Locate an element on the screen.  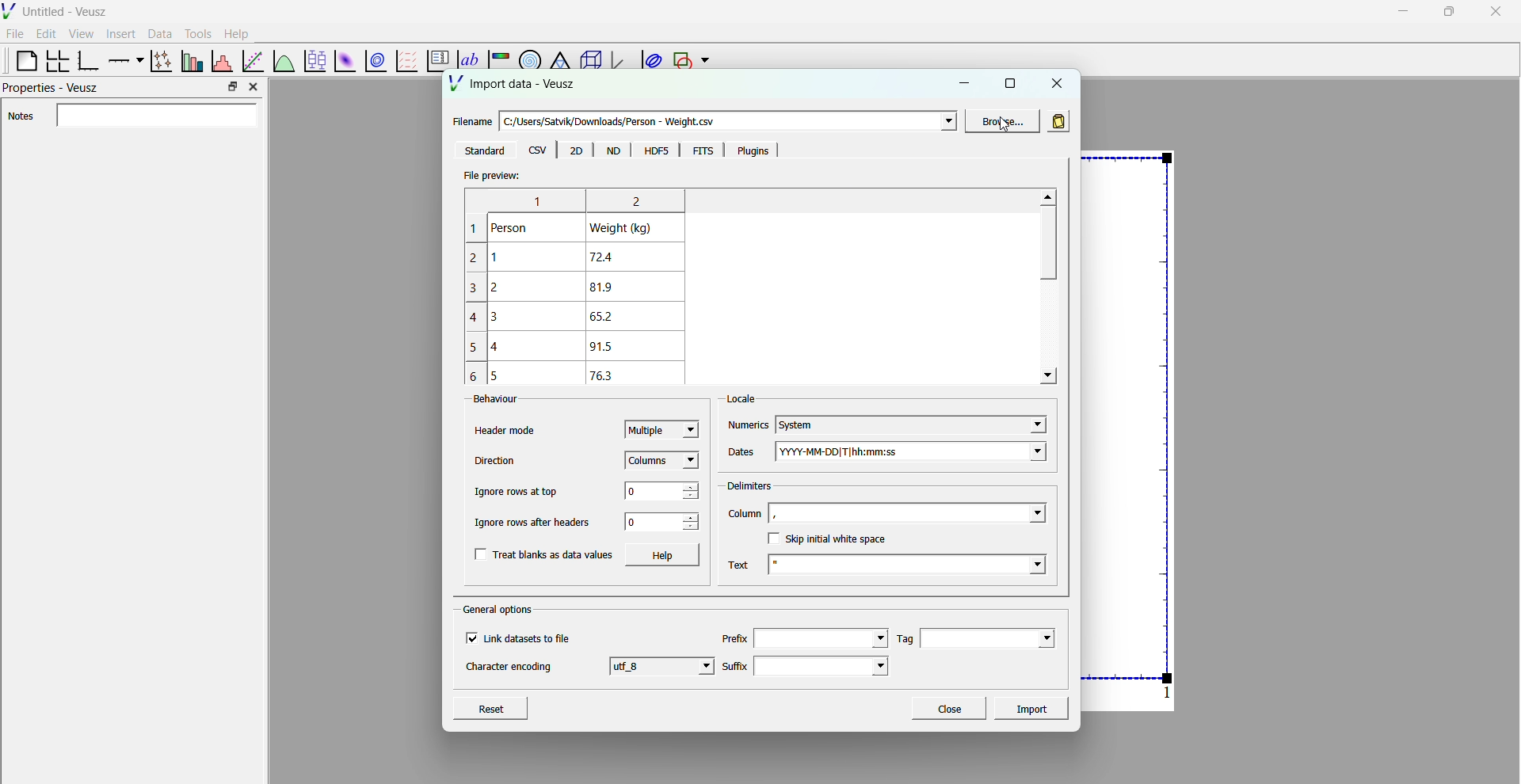
csv is located at coordinates (538, 150).